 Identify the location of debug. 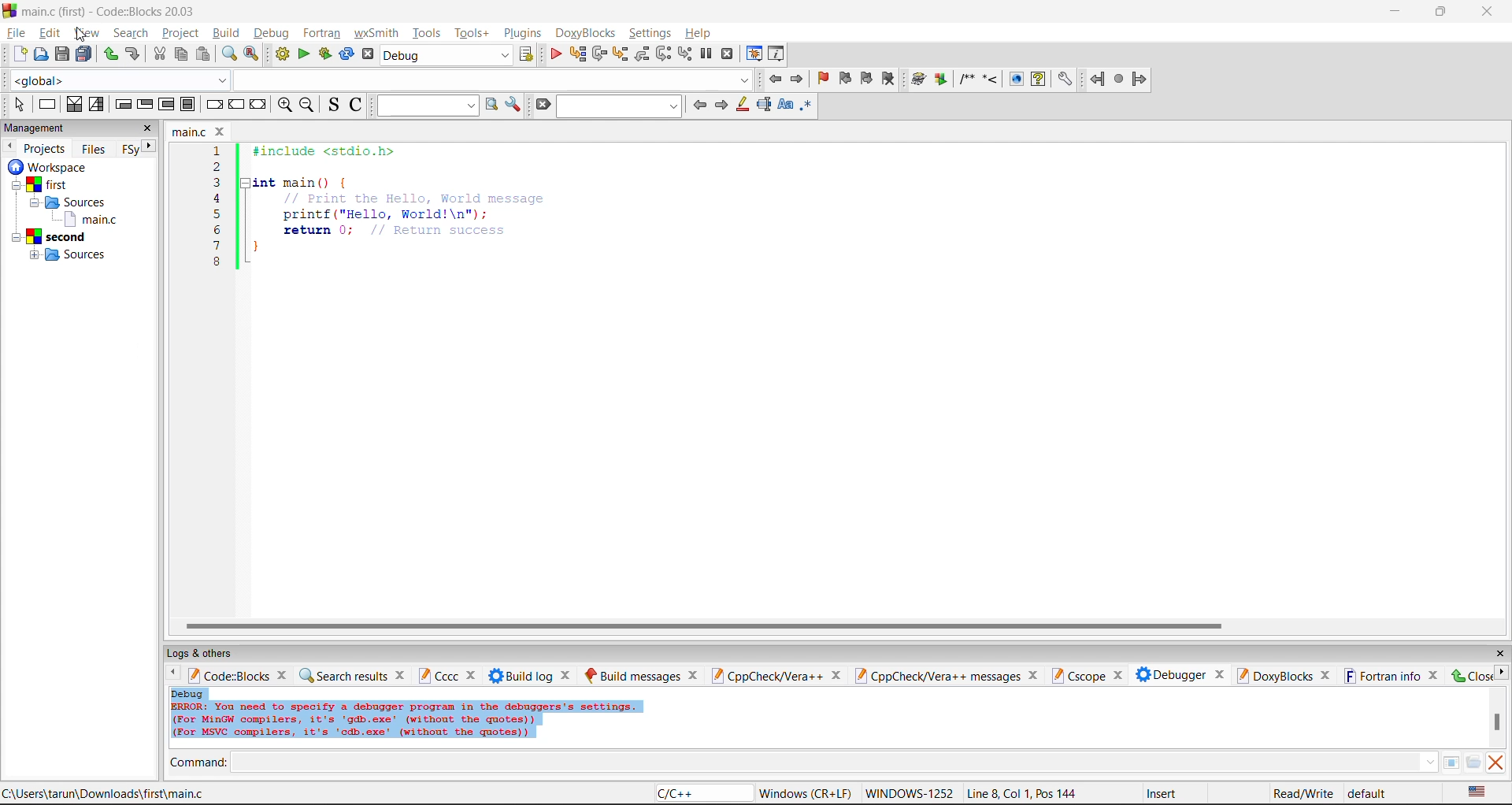
(272, 32).